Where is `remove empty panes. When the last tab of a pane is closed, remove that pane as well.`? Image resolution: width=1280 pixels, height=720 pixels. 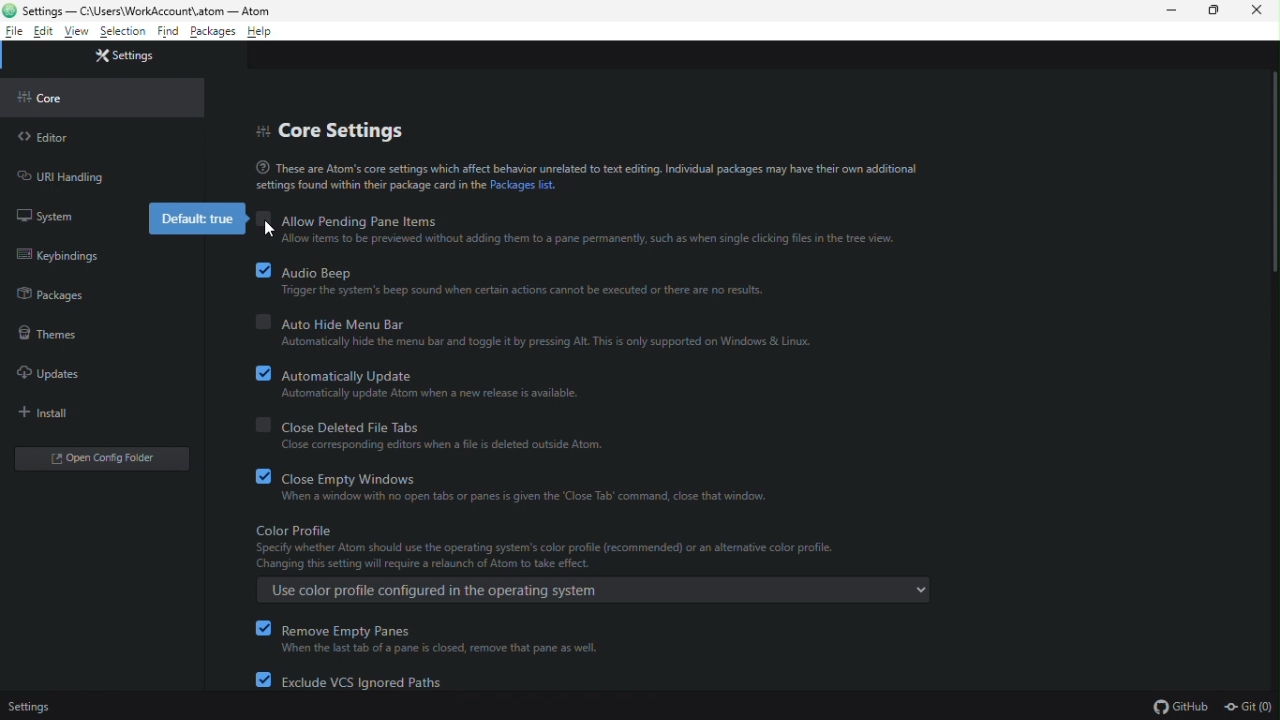 remove empty panes. When the last tab of a pane is closed, remove that pane as well. is located at coordinates (428, 636).